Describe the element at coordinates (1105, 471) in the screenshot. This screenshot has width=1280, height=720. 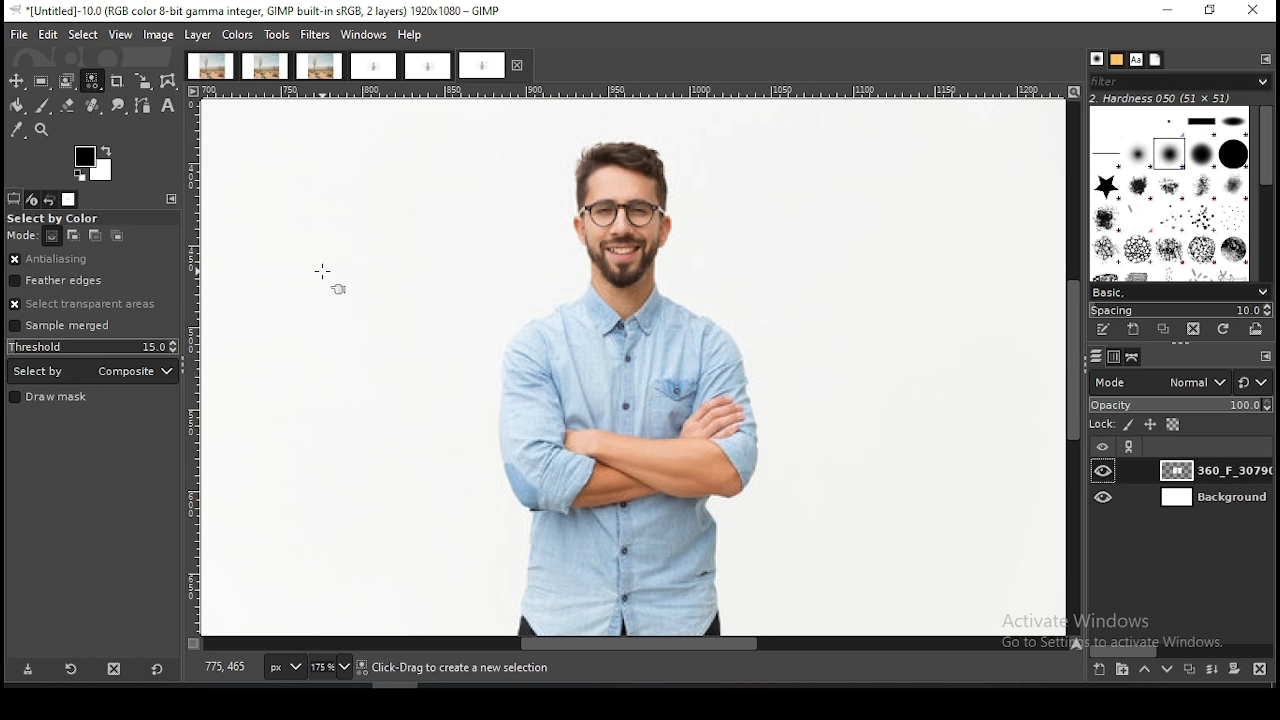
I see `layer visibility on/off` at that location.